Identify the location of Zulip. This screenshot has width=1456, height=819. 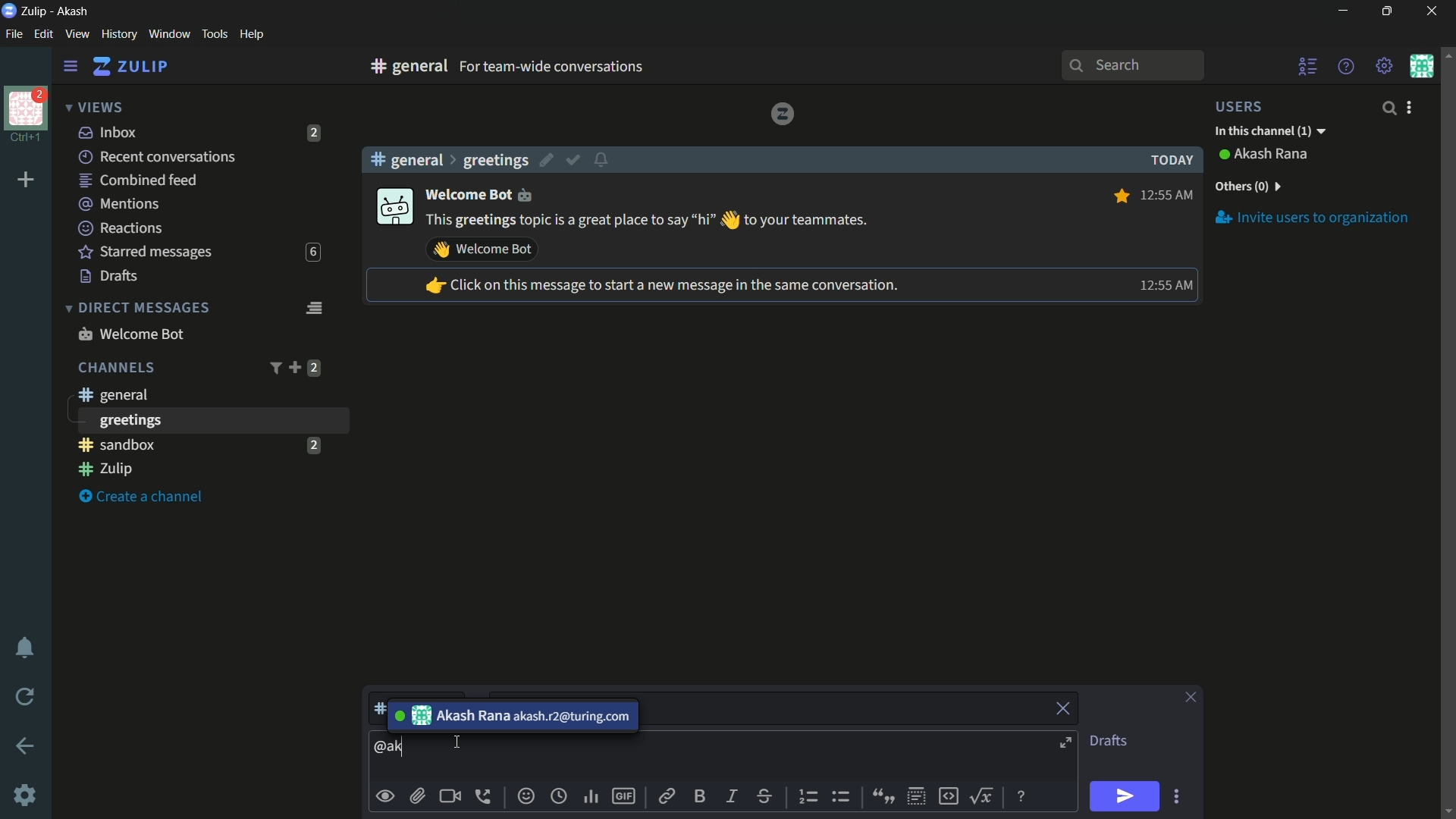
(36, 11).